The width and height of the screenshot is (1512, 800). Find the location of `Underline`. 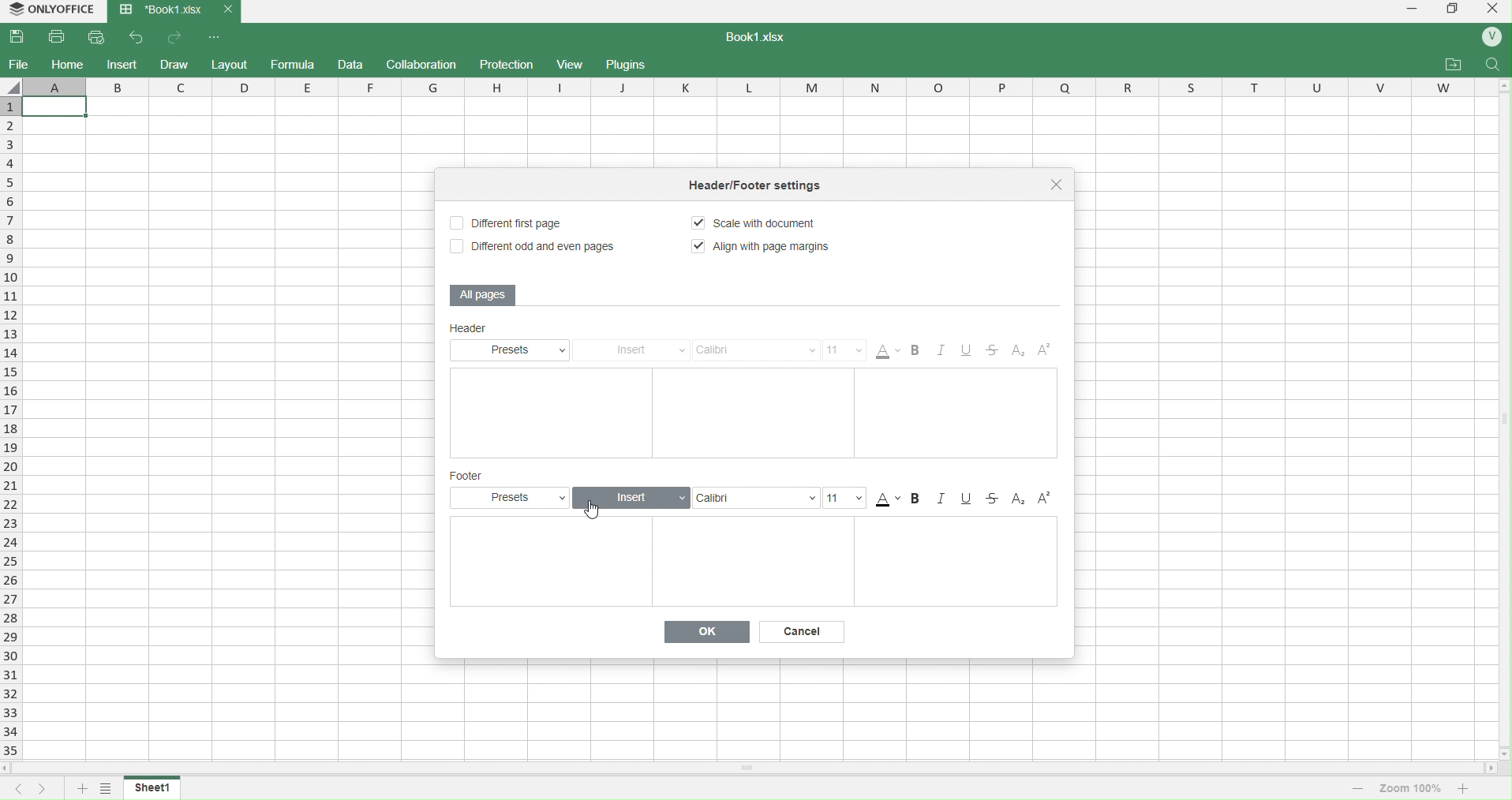

Underline is located at coordinates (967, 499).